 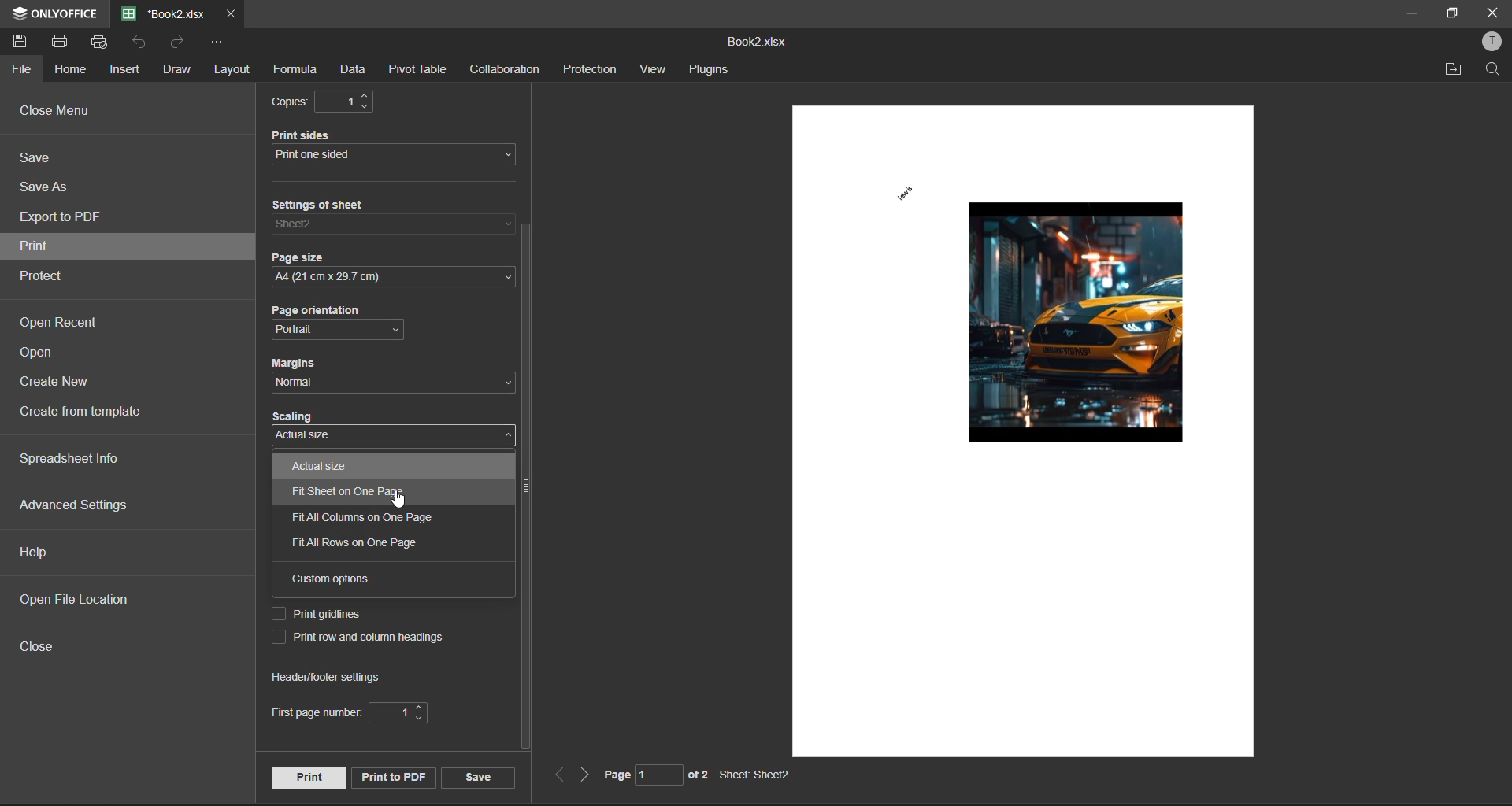 What do you see at coordinates (524, 489) in the screenshot?
I see `vertical scroll bar` at bounding box center [524, 489].